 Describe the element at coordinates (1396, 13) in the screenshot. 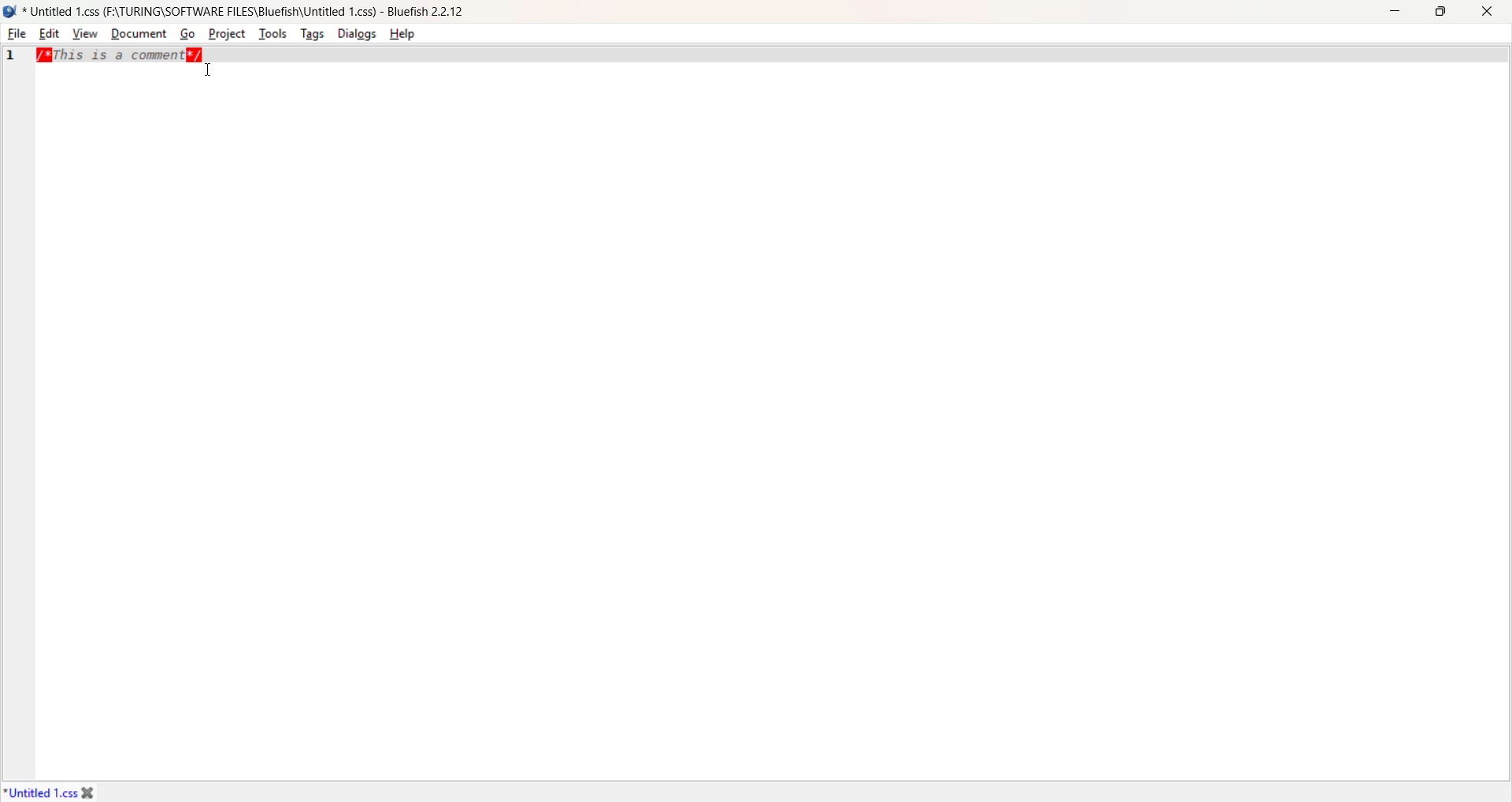

I see `Minimize` at that location.